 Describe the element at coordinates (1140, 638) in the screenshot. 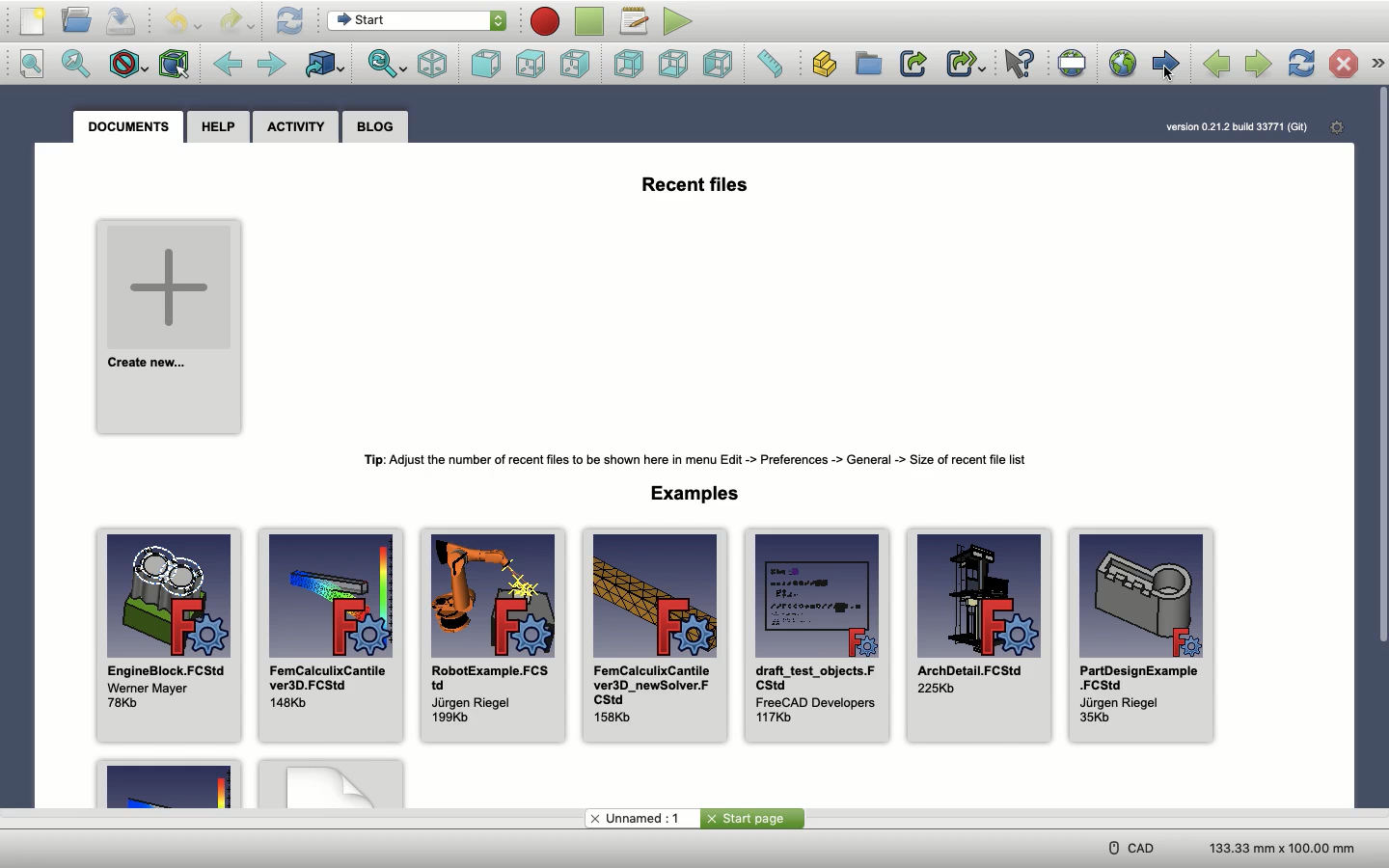

I see `PartDesignExample.FCStd` at that location.